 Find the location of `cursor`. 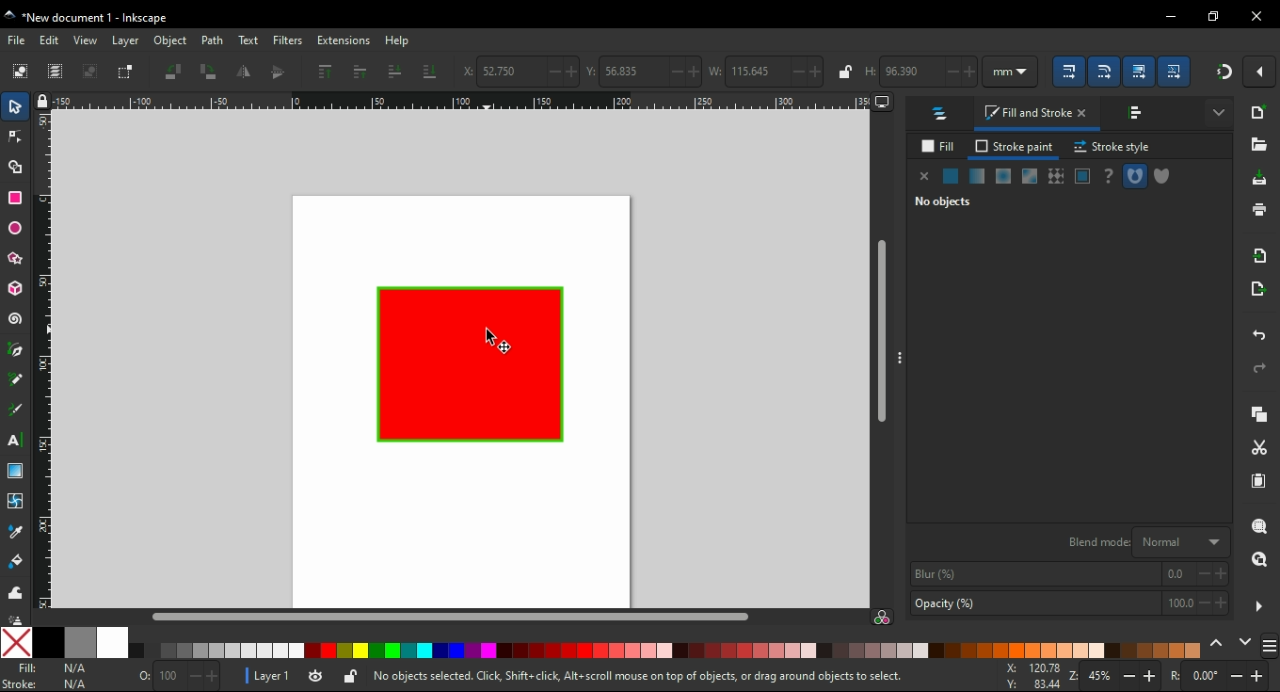

cursor is located at coordinates (500, 342).